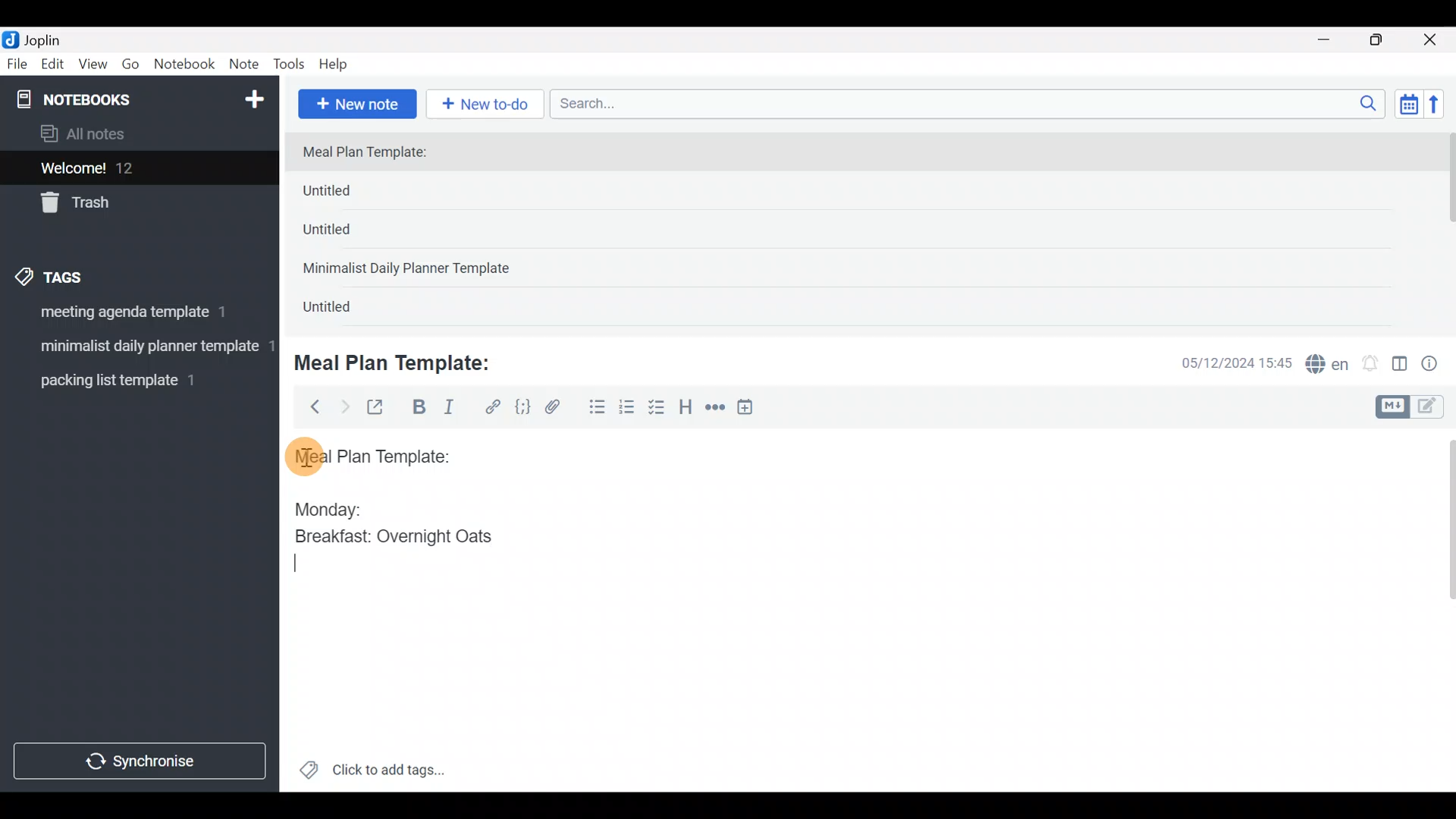 Image resolution: width=1456 pixels, height=819 pixels. What do you see at coordinates (130, 204) in the screenshot?
I see `Trash` at bounding box center [130, 204].